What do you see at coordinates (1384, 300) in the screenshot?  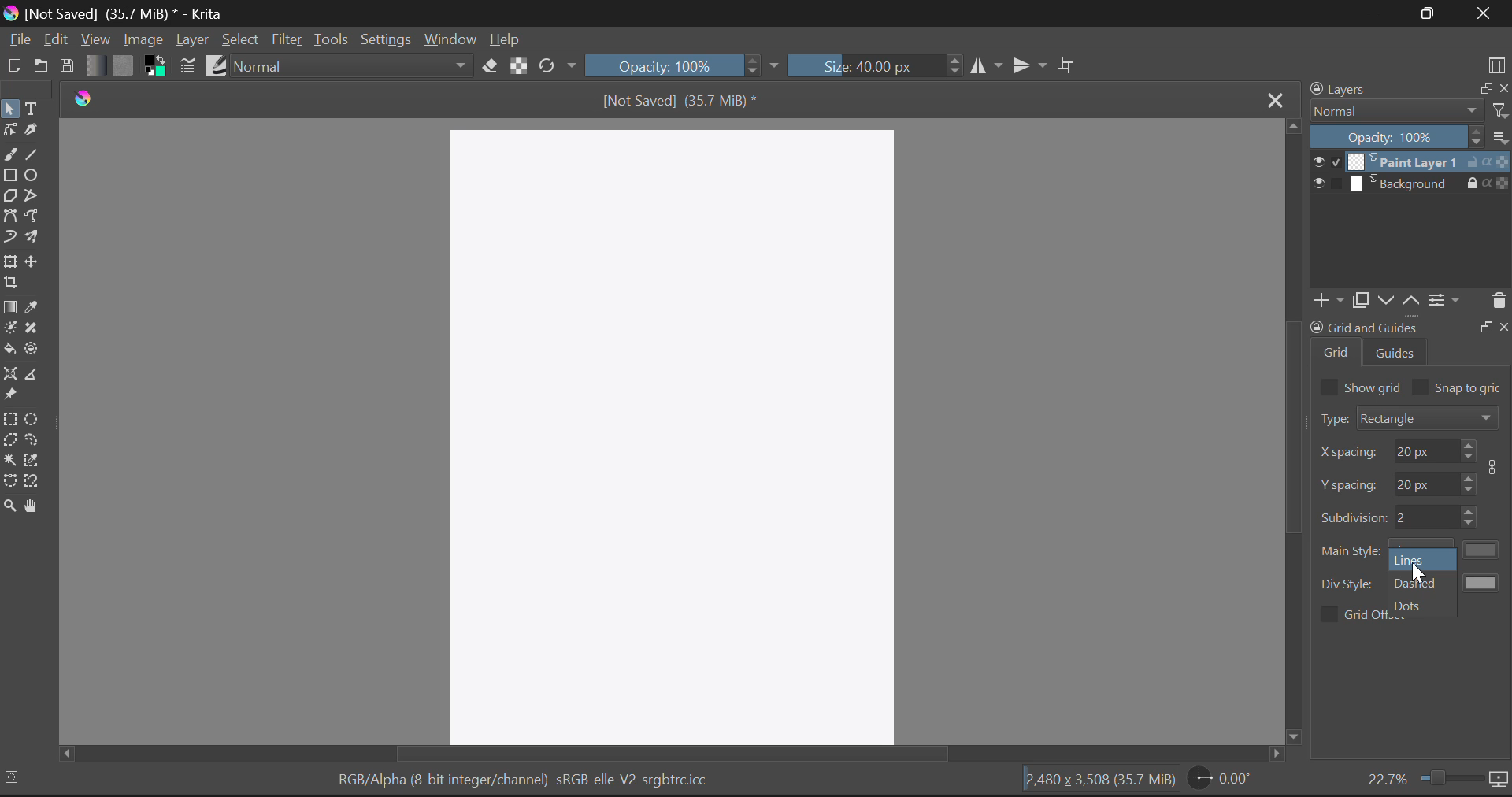 I see `down` at bounding box center [1384, 300].